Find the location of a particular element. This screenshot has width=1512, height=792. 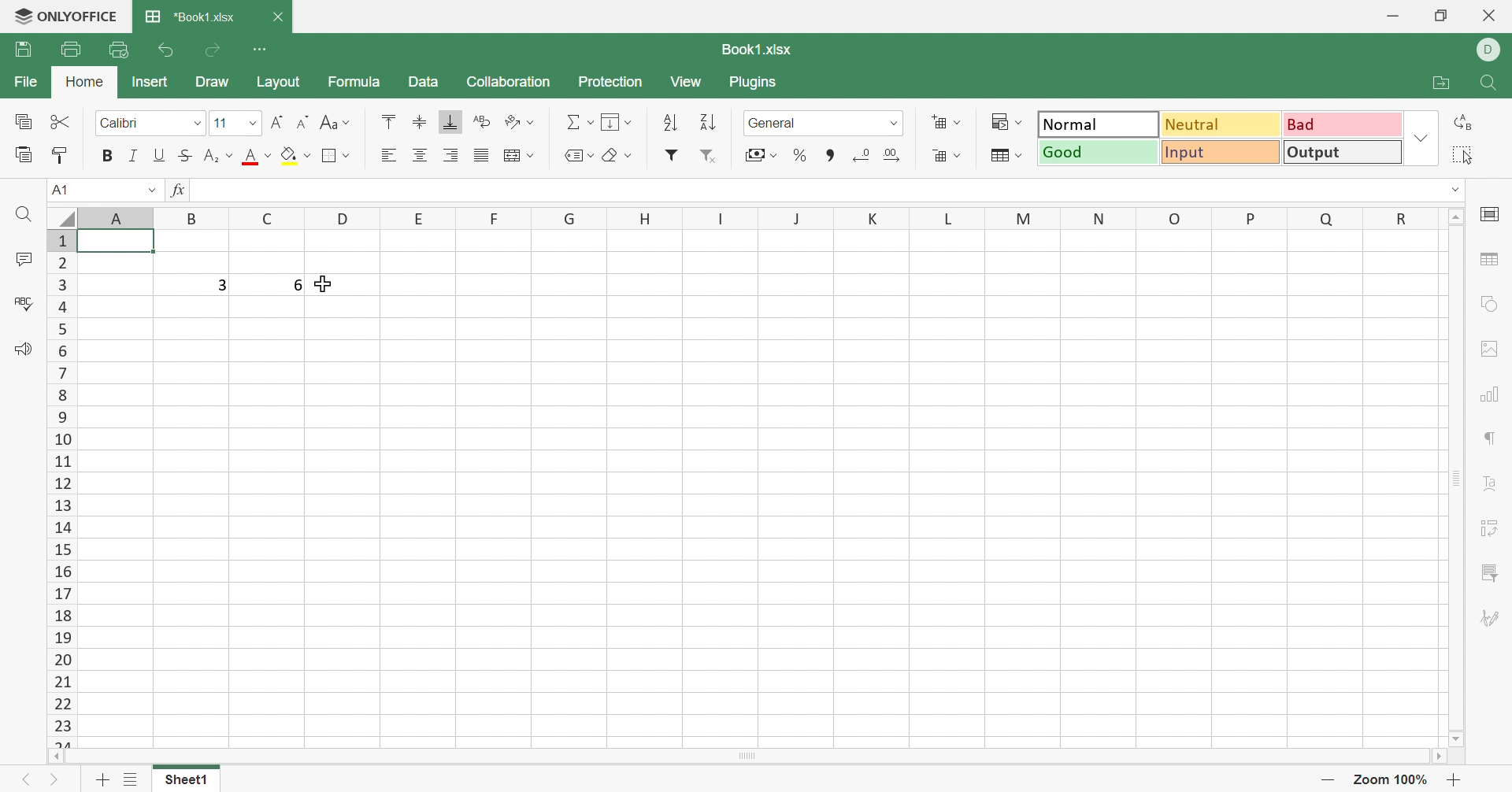

Align top is located at coordinates (387, 121).